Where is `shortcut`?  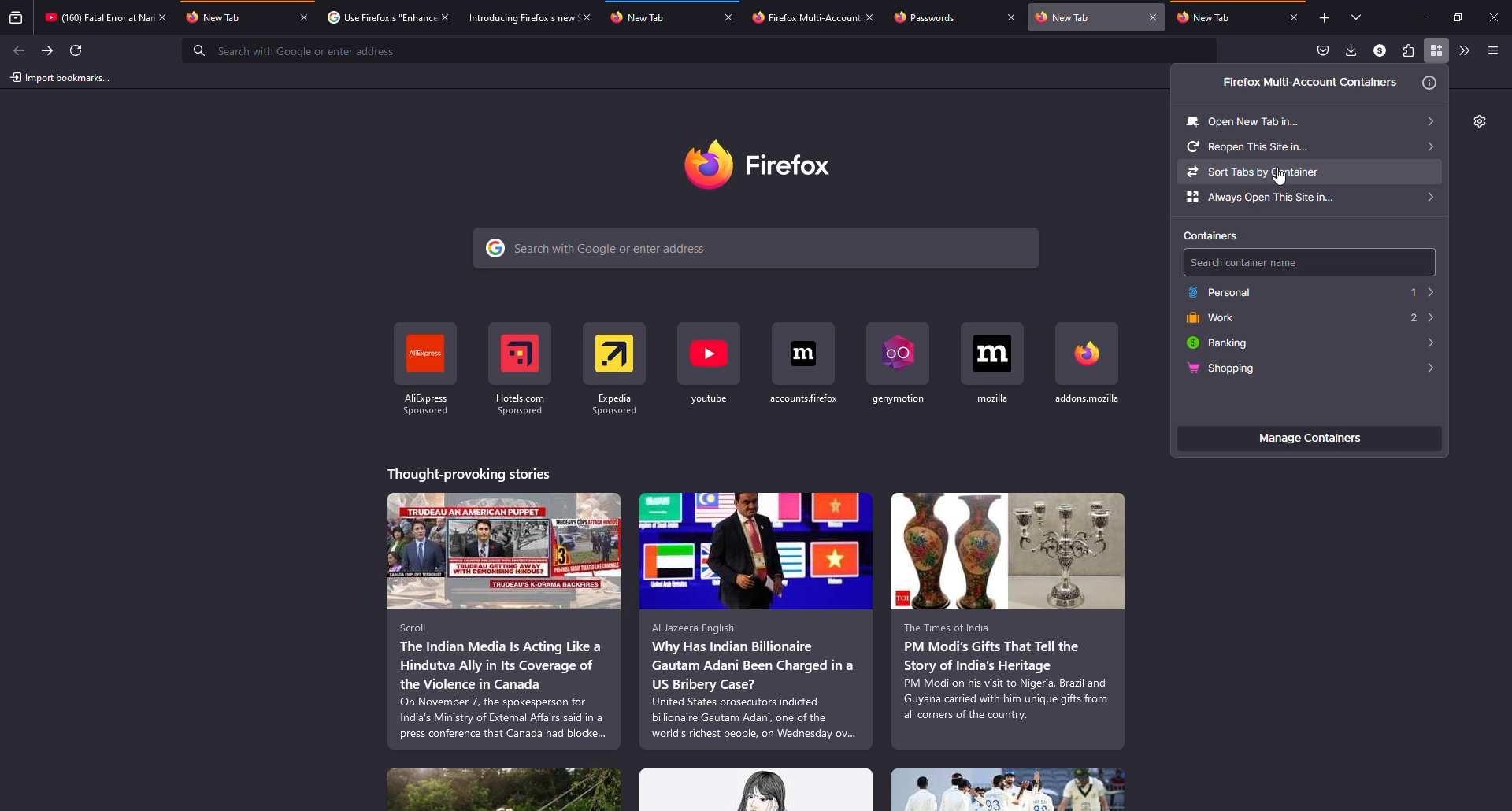
shortcut is located at coordinates (1087, 365).